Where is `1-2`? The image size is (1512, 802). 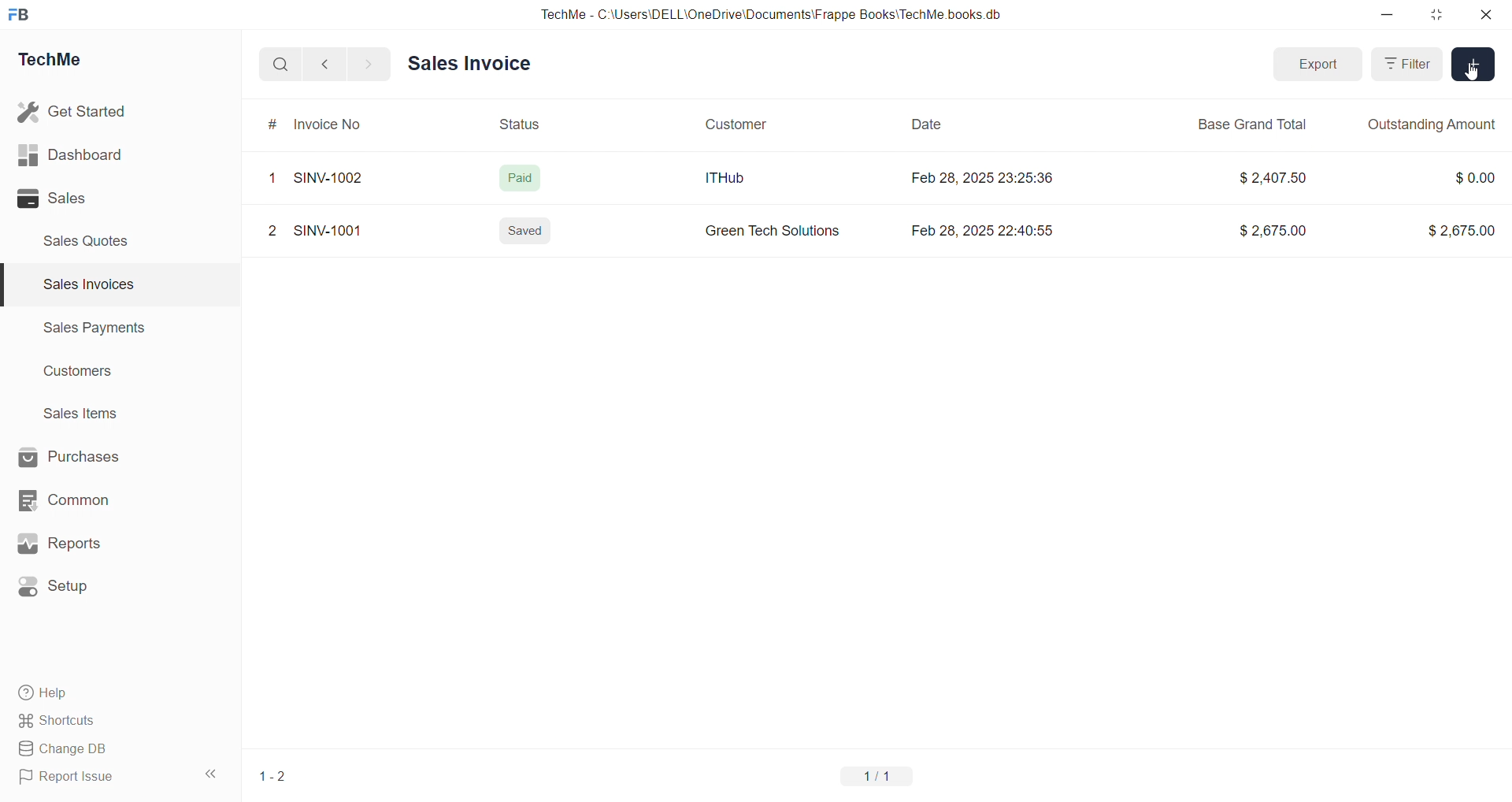
1-2 is located at coordinates (281, 779).